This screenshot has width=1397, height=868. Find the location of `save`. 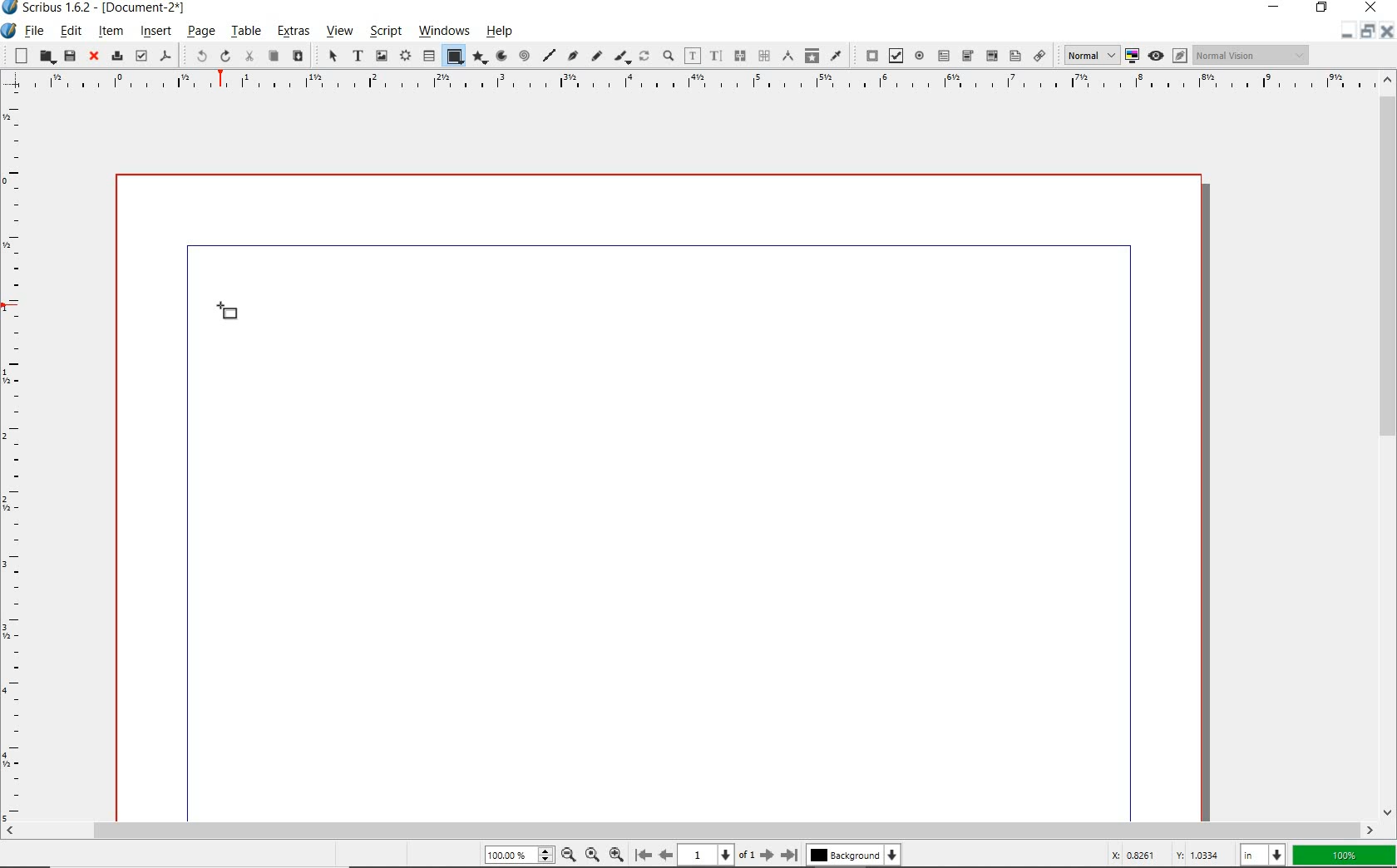

save is located at coordinates (70, 56).